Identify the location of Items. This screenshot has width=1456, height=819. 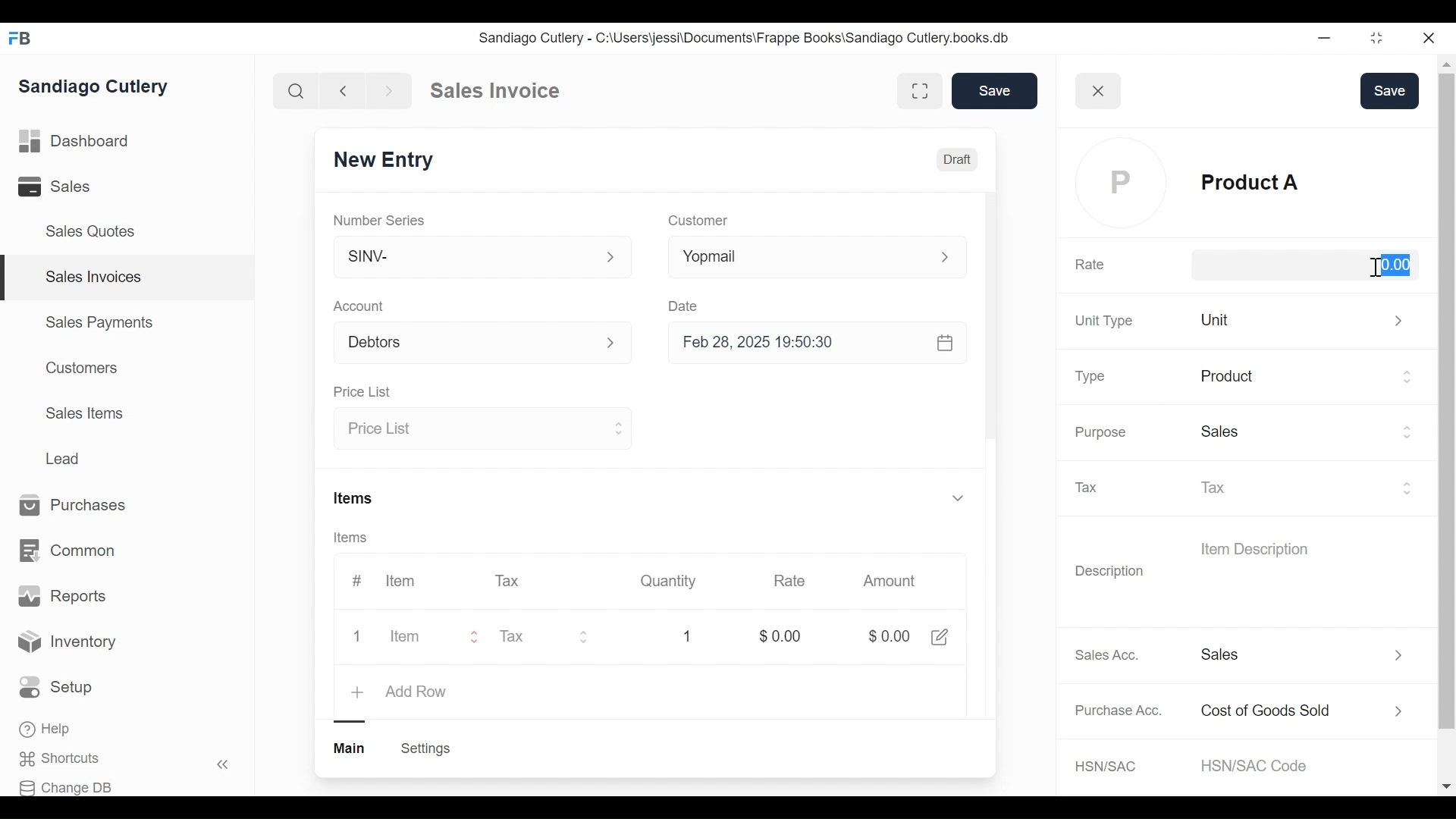
(356, 497).